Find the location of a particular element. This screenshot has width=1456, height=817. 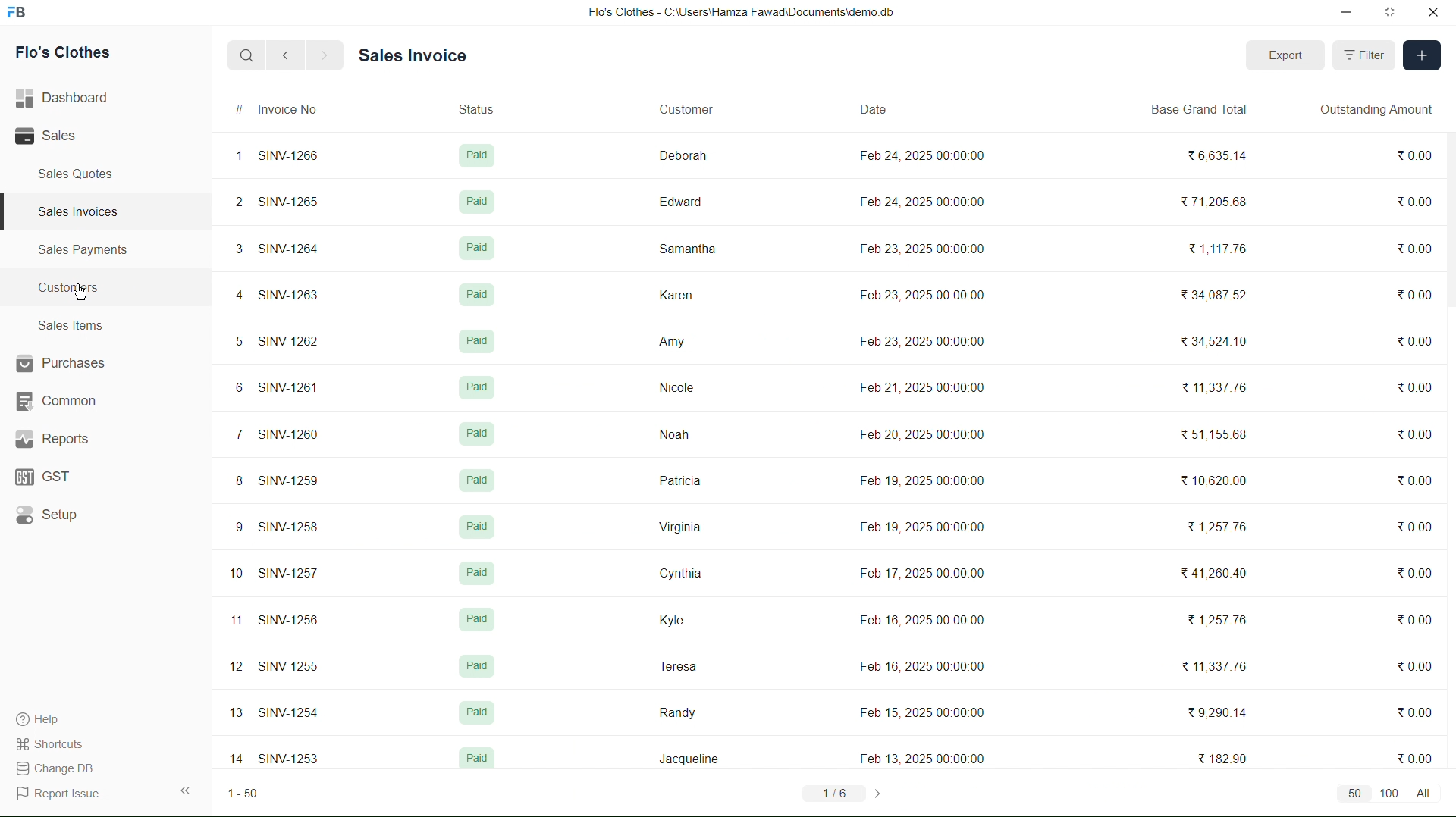

n is located at coordinates (231, 622).